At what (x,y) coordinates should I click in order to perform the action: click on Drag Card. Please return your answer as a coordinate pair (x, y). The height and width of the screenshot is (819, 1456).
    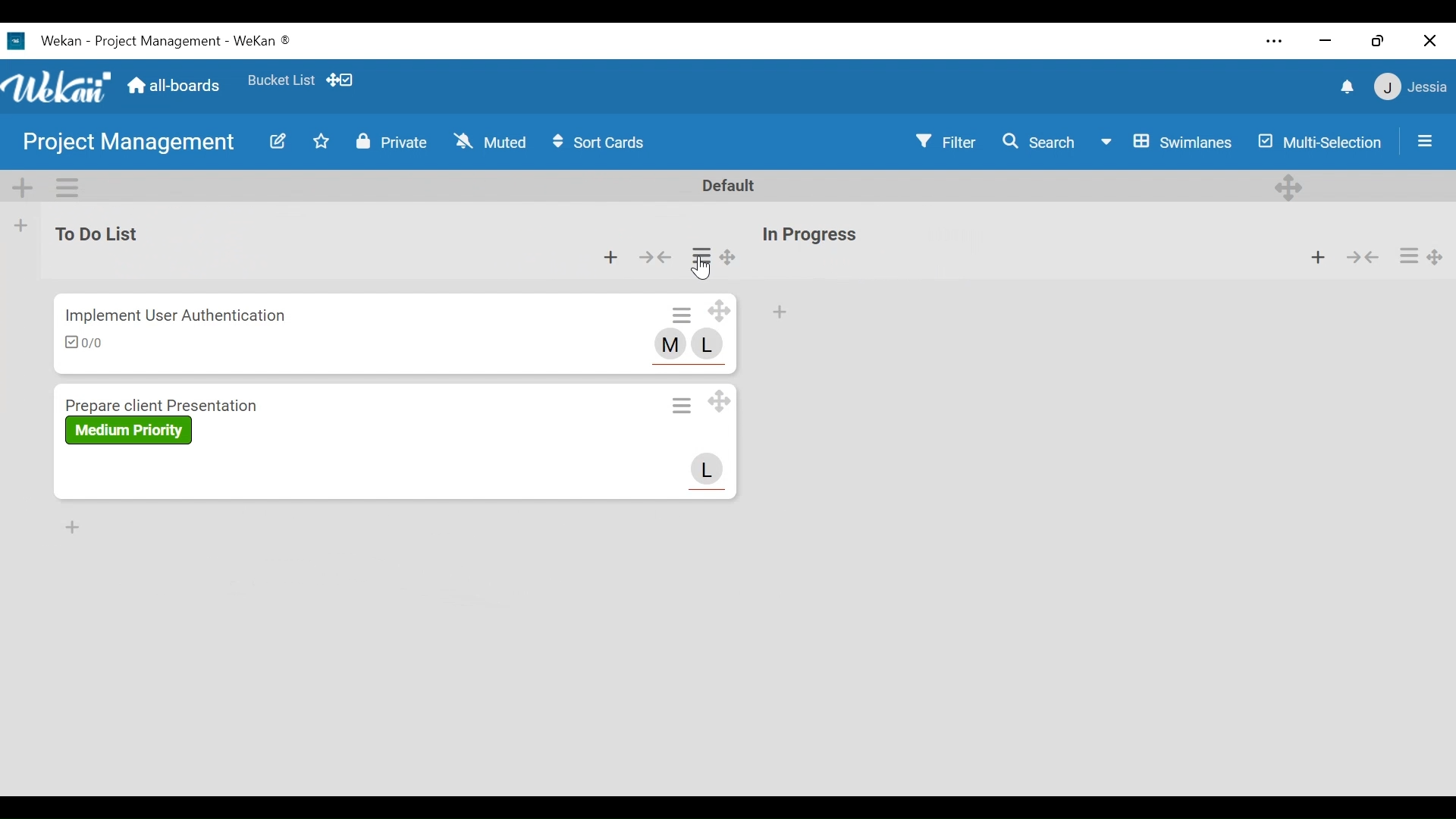
    Looking at the image, I should click on (719, 310).